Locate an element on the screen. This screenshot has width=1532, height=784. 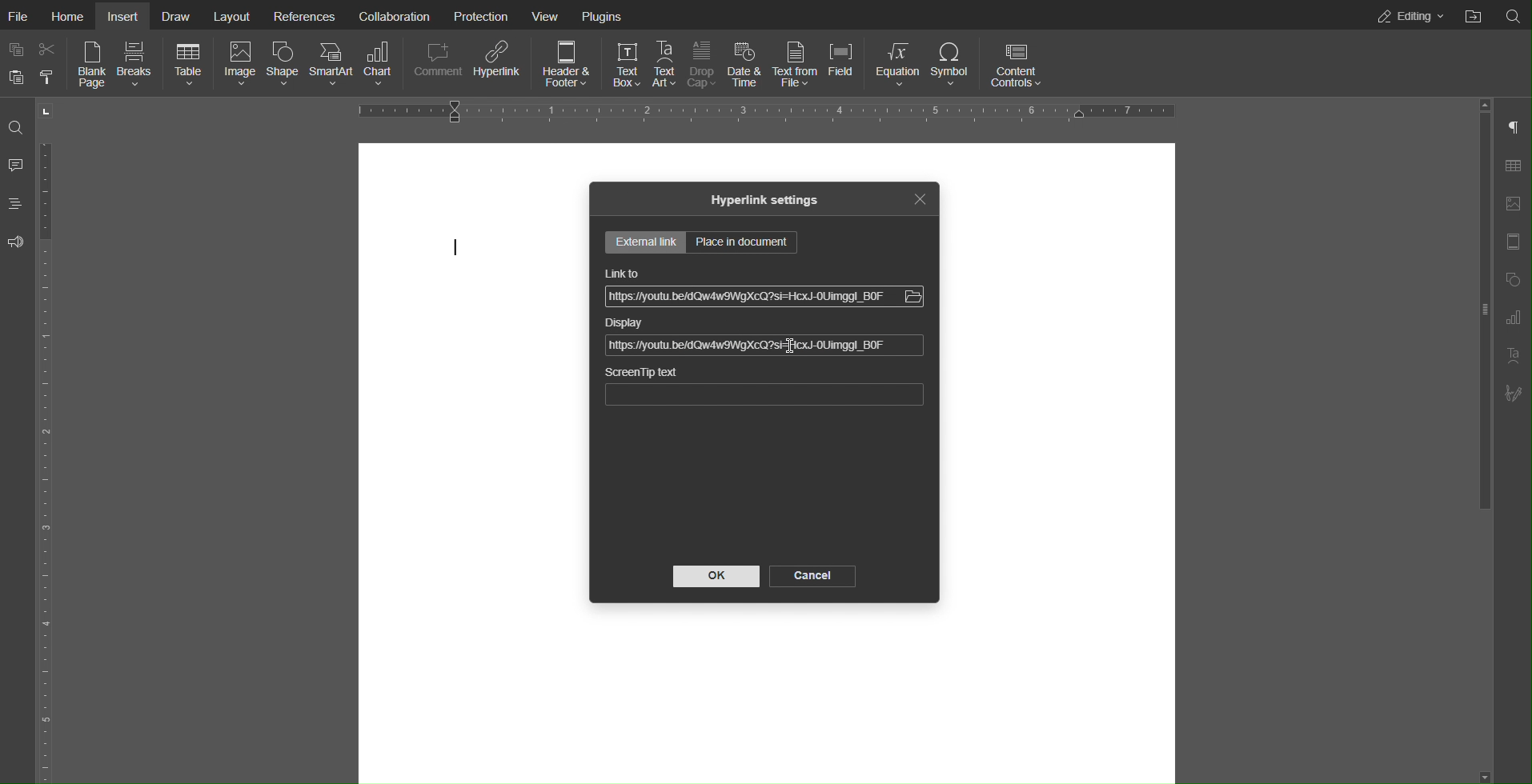
Signature is located at coordinates (1514, 393).